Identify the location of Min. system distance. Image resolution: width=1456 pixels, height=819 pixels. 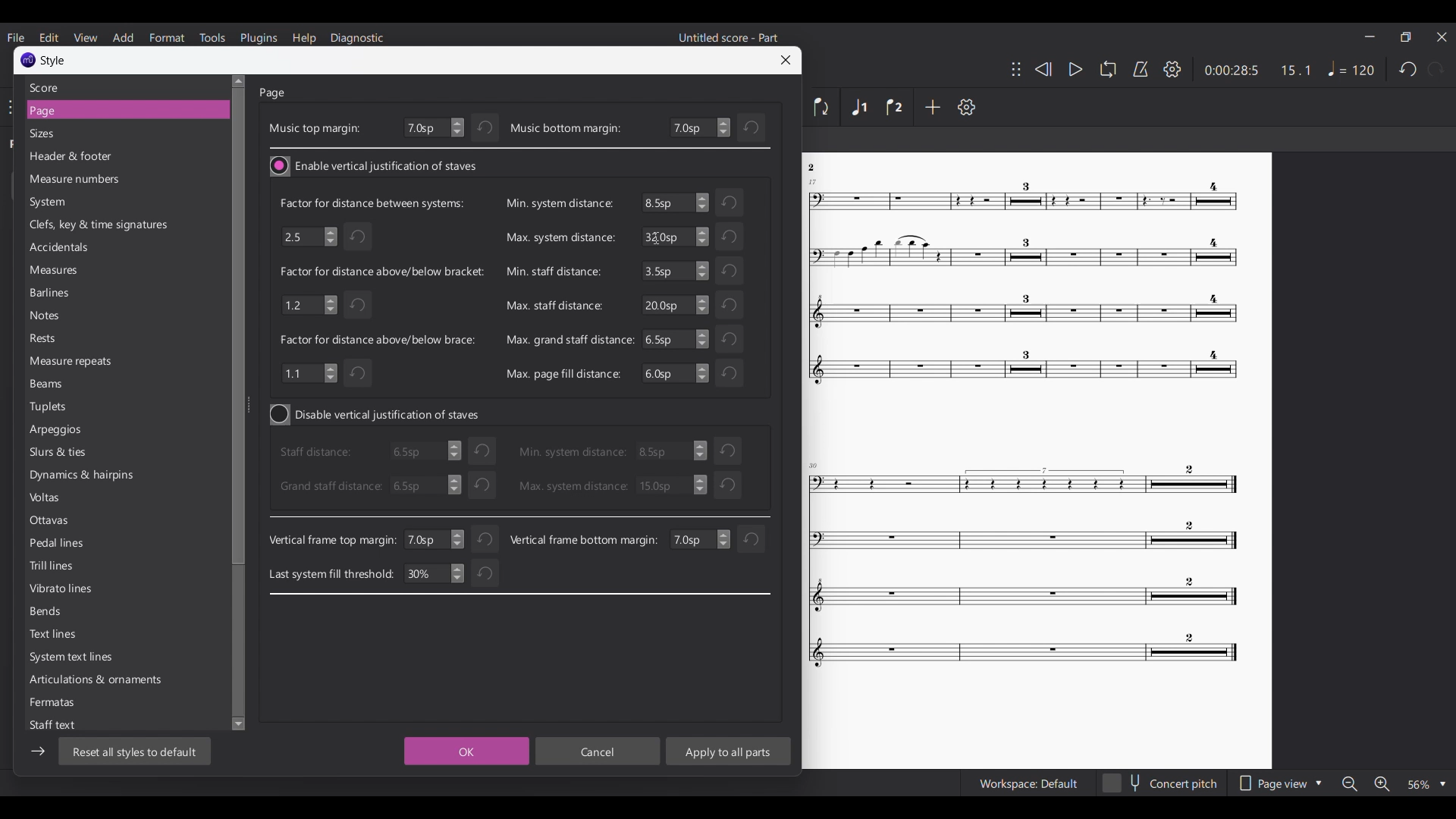
(572, 451).